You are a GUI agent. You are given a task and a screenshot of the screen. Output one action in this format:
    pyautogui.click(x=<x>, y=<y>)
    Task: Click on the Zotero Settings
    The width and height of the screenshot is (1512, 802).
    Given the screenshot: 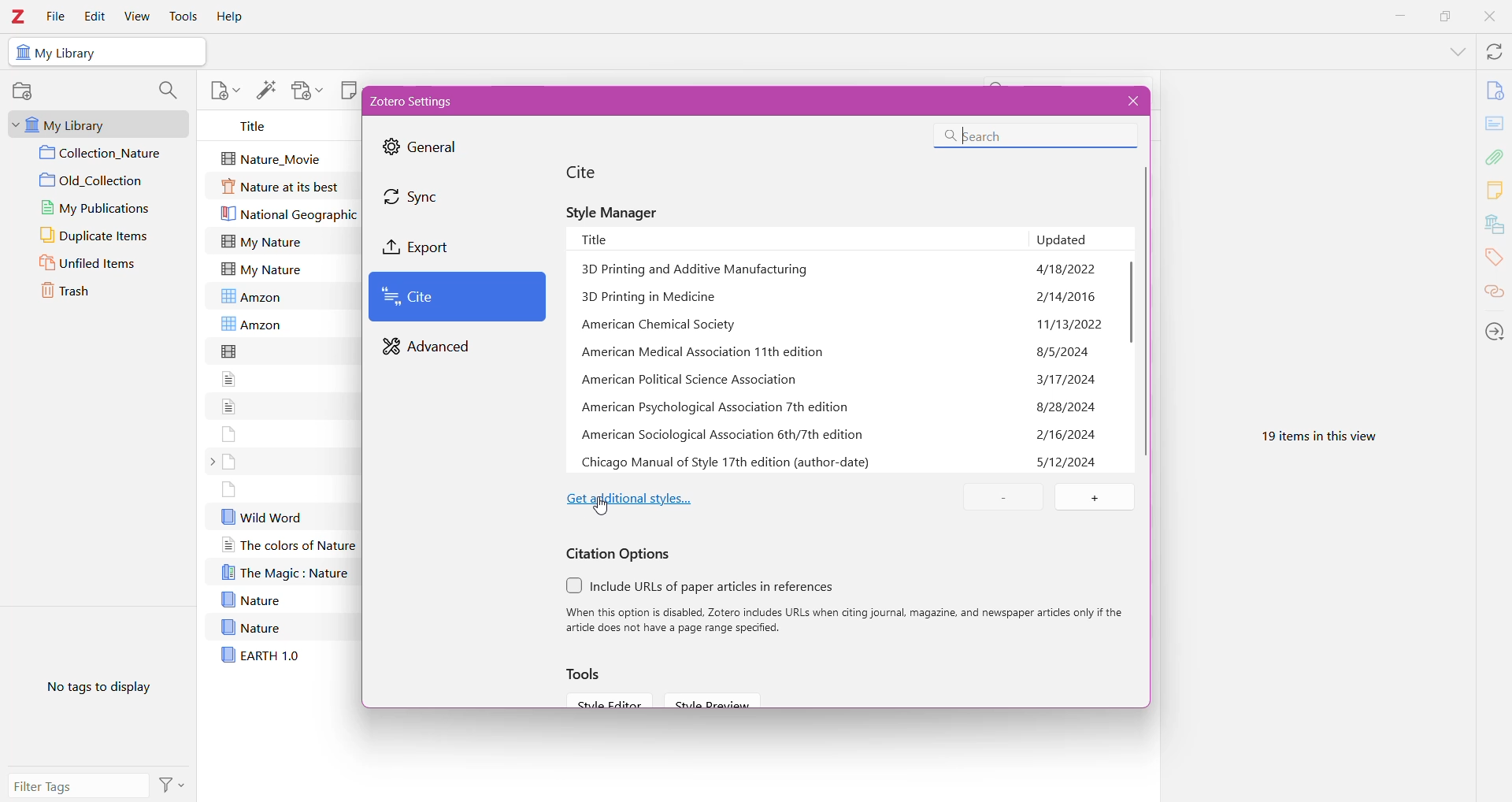 What is the action you would take?
    pyautogui.click(x=421, y=101)
    